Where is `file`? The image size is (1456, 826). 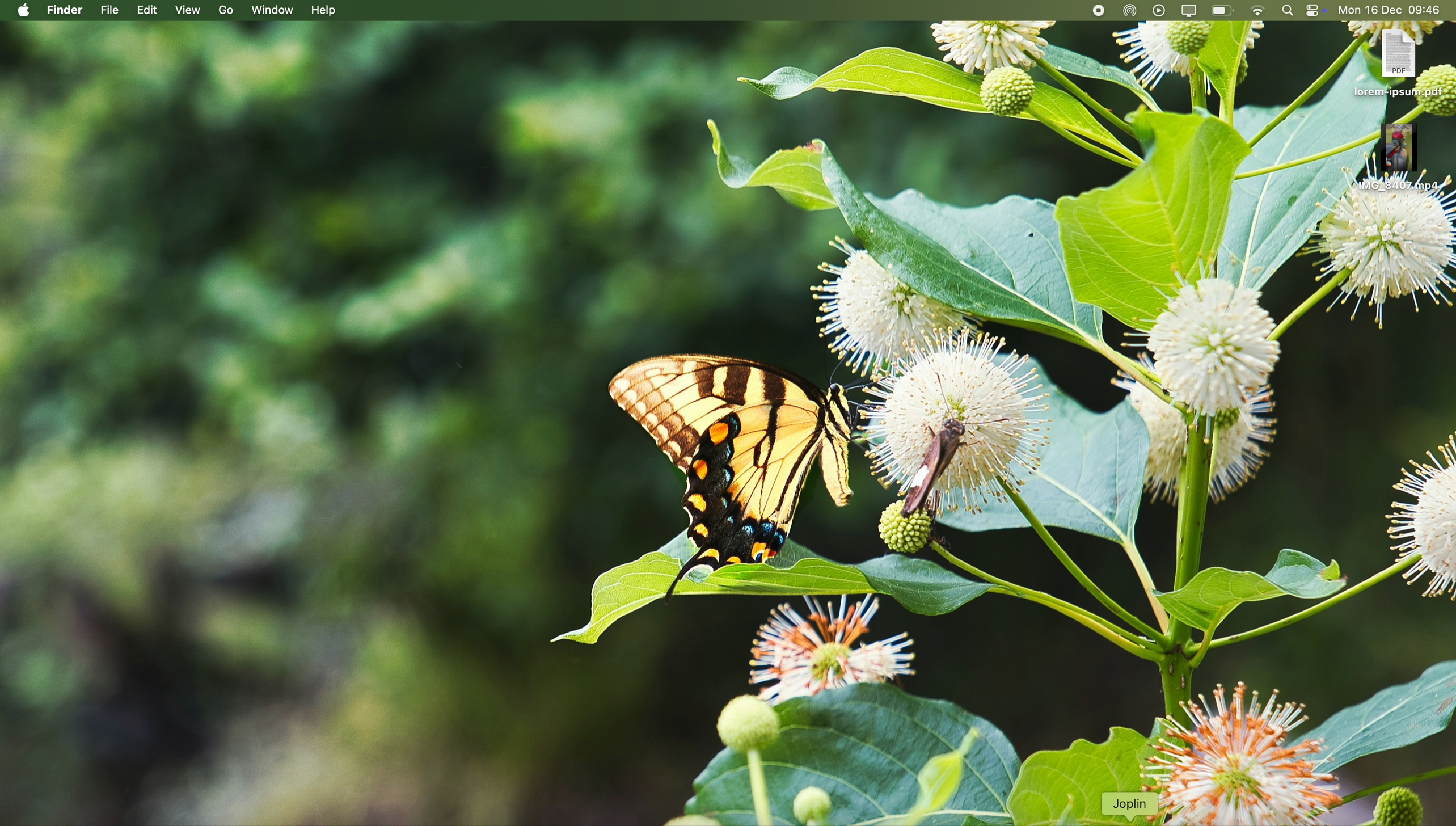 file is located at coordinates (1393, 163).